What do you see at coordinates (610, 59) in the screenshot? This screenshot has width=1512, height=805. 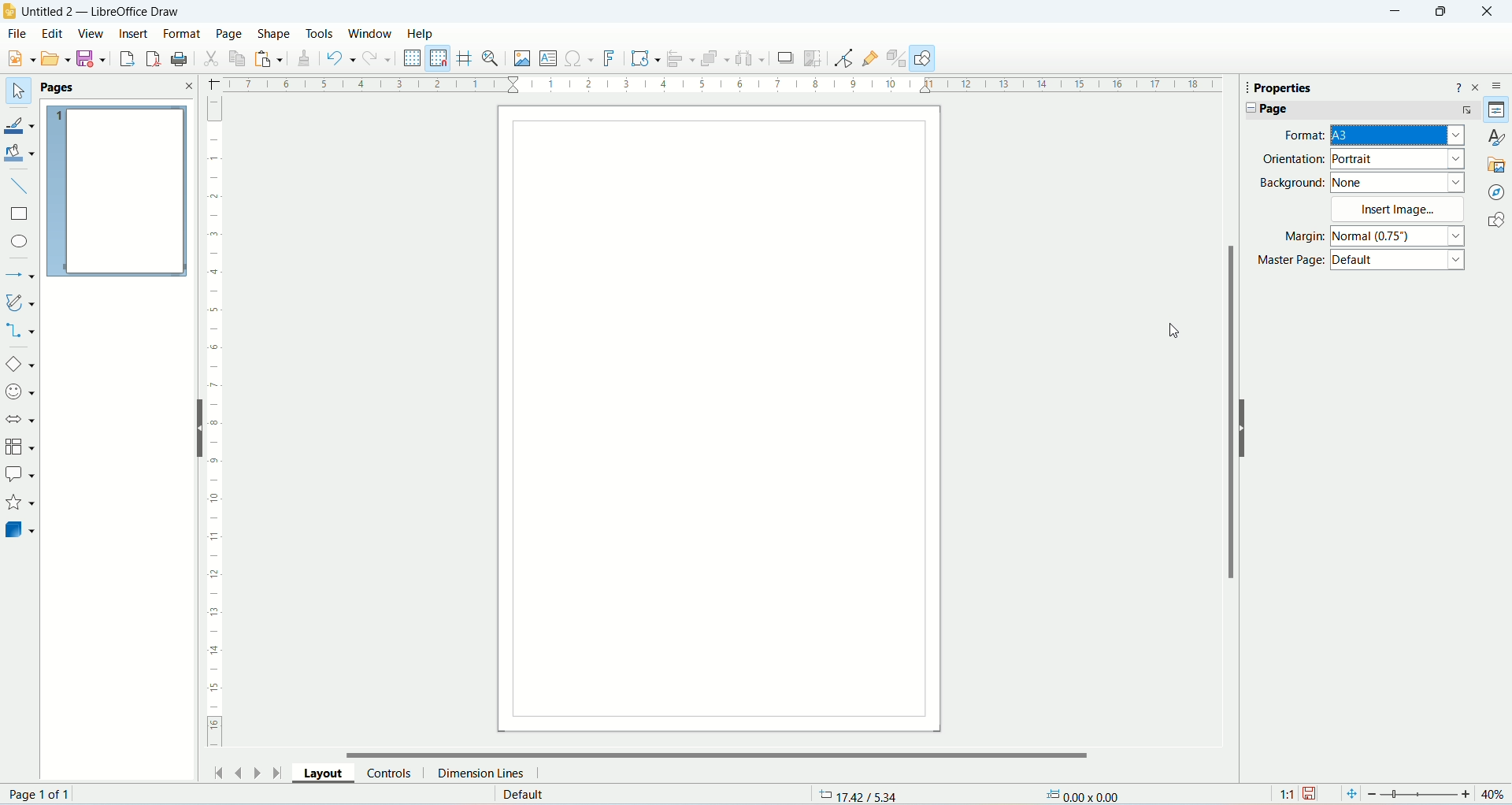 I see `fontwork text` at bounding box center [610, 59].